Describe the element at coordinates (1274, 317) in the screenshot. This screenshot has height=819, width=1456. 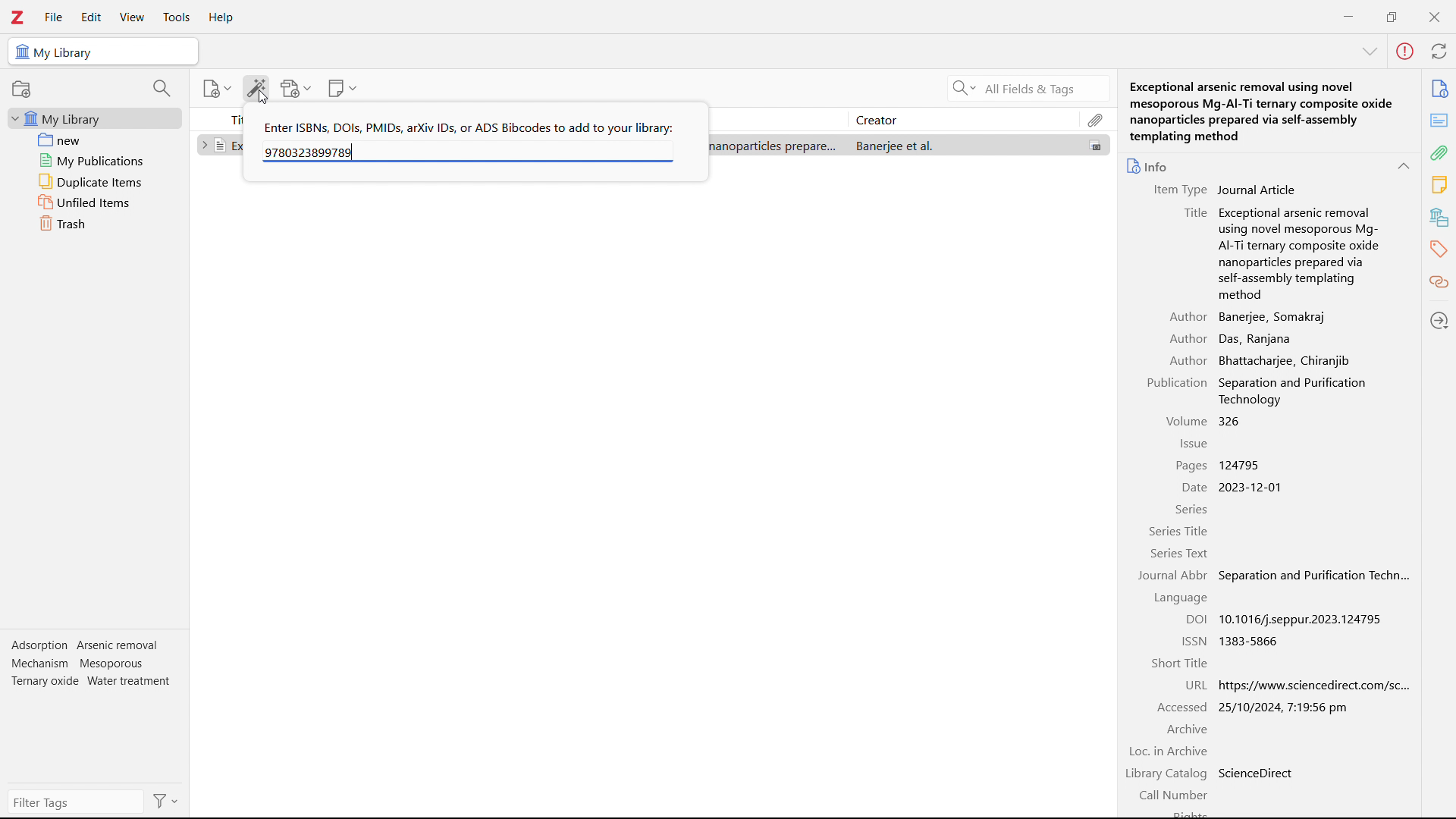
I see `Banerjee, Somakraj` at that location.